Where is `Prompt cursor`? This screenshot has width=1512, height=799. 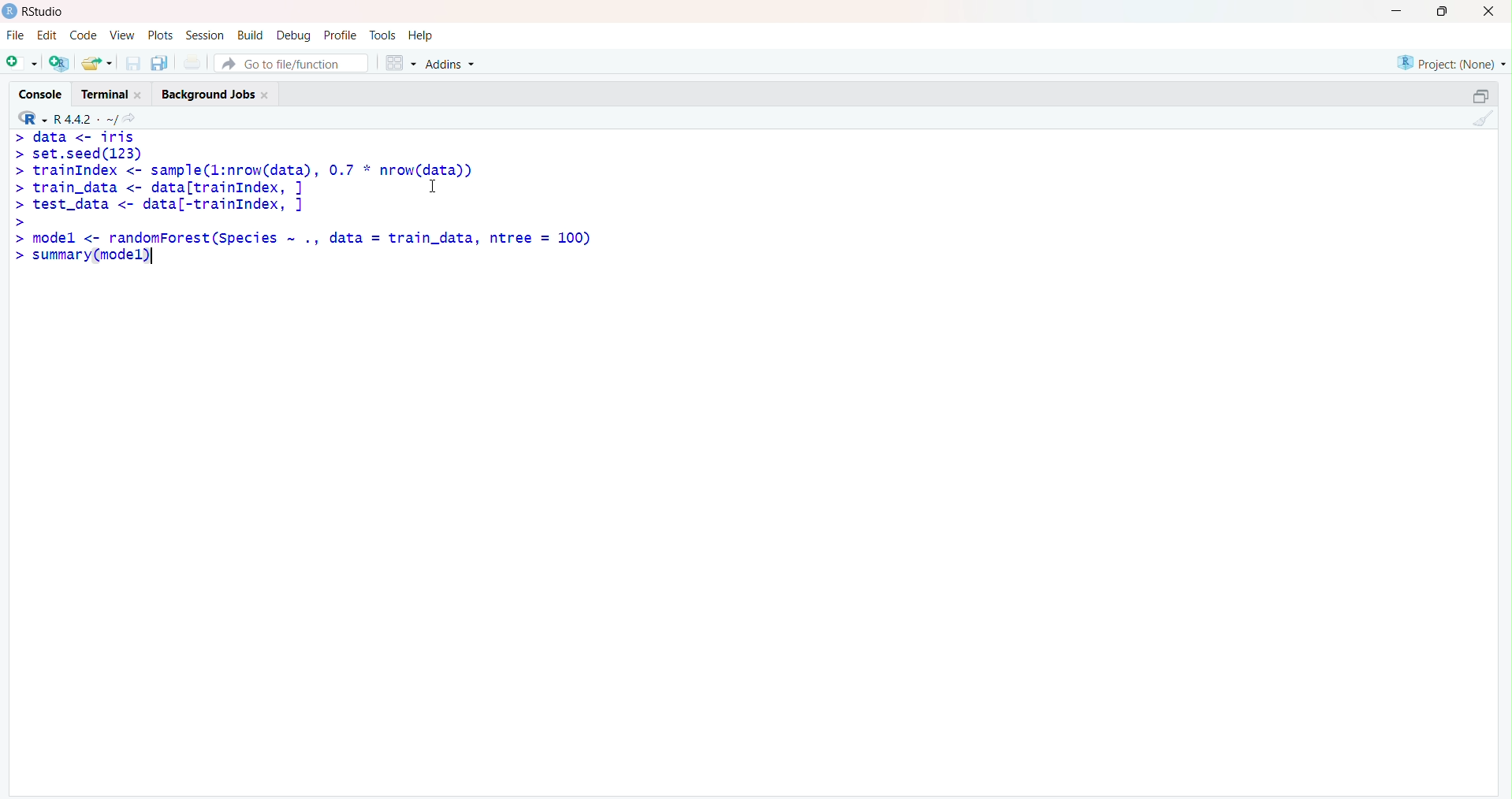
Prompt cursor is located at coordinates (19, 258).